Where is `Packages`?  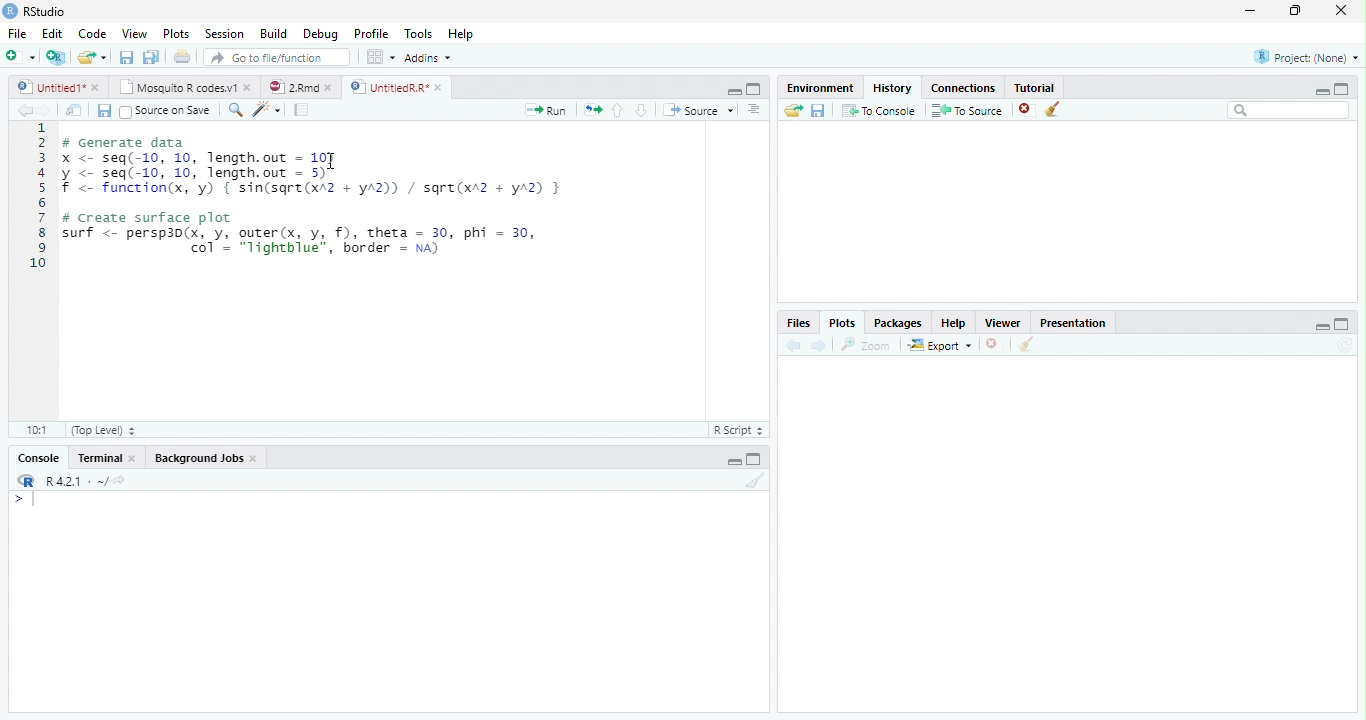
Packages is located at coordinates (898, 322).